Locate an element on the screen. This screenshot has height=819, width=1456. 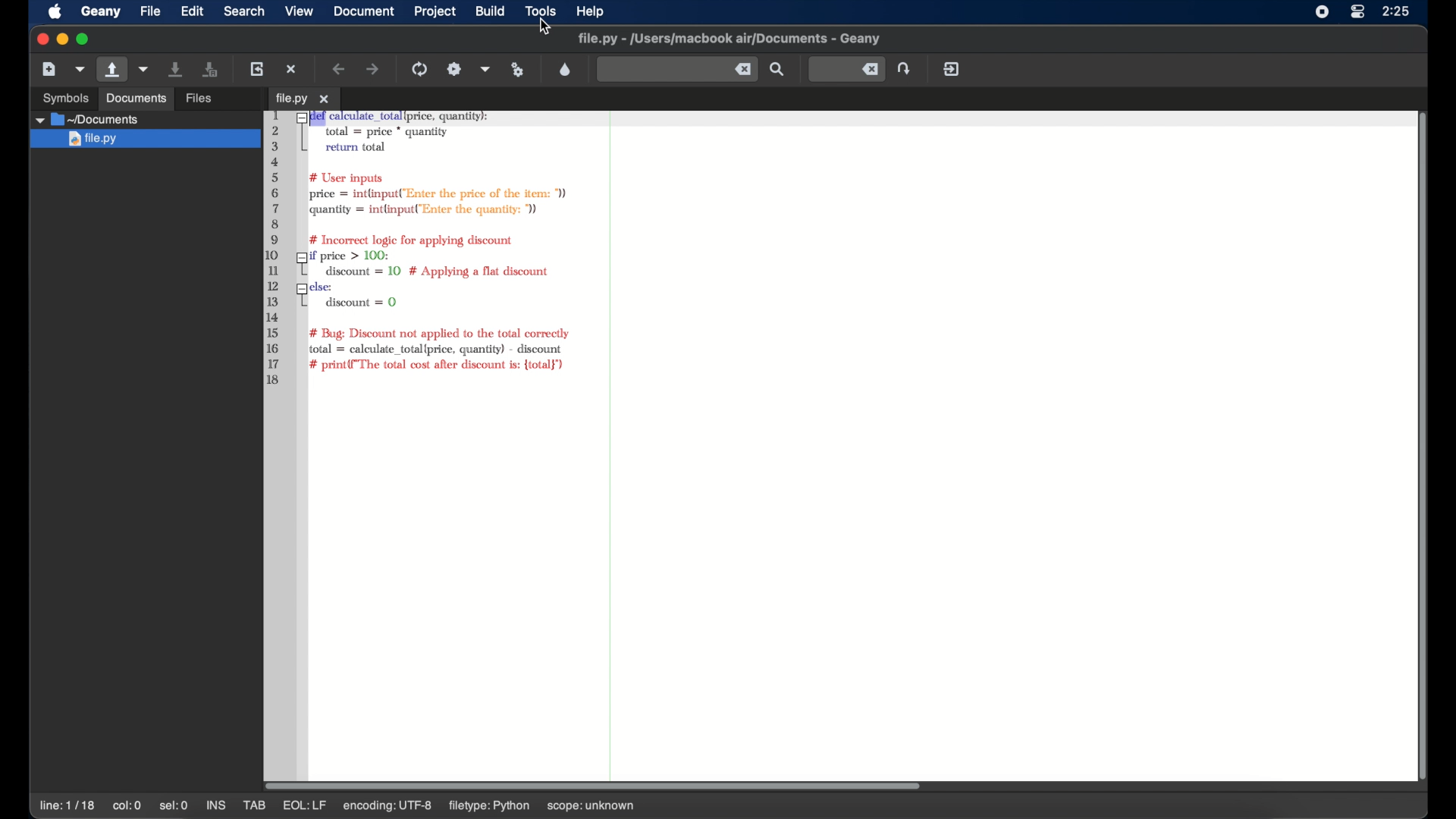
search is located at coordinates (778, 70).